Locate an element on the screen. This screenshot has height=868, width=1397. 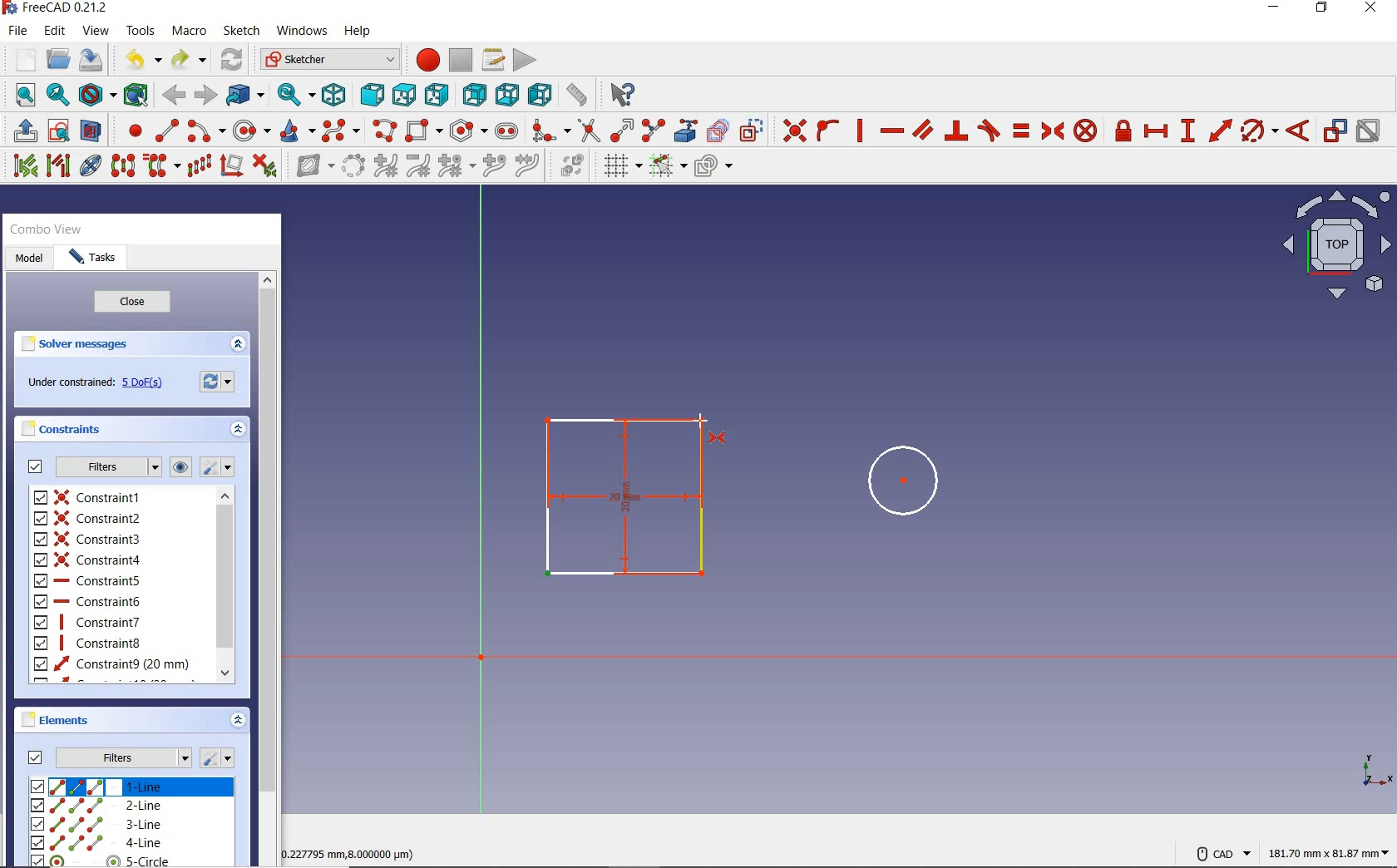
solver messages is located at coordinates (74, 345).